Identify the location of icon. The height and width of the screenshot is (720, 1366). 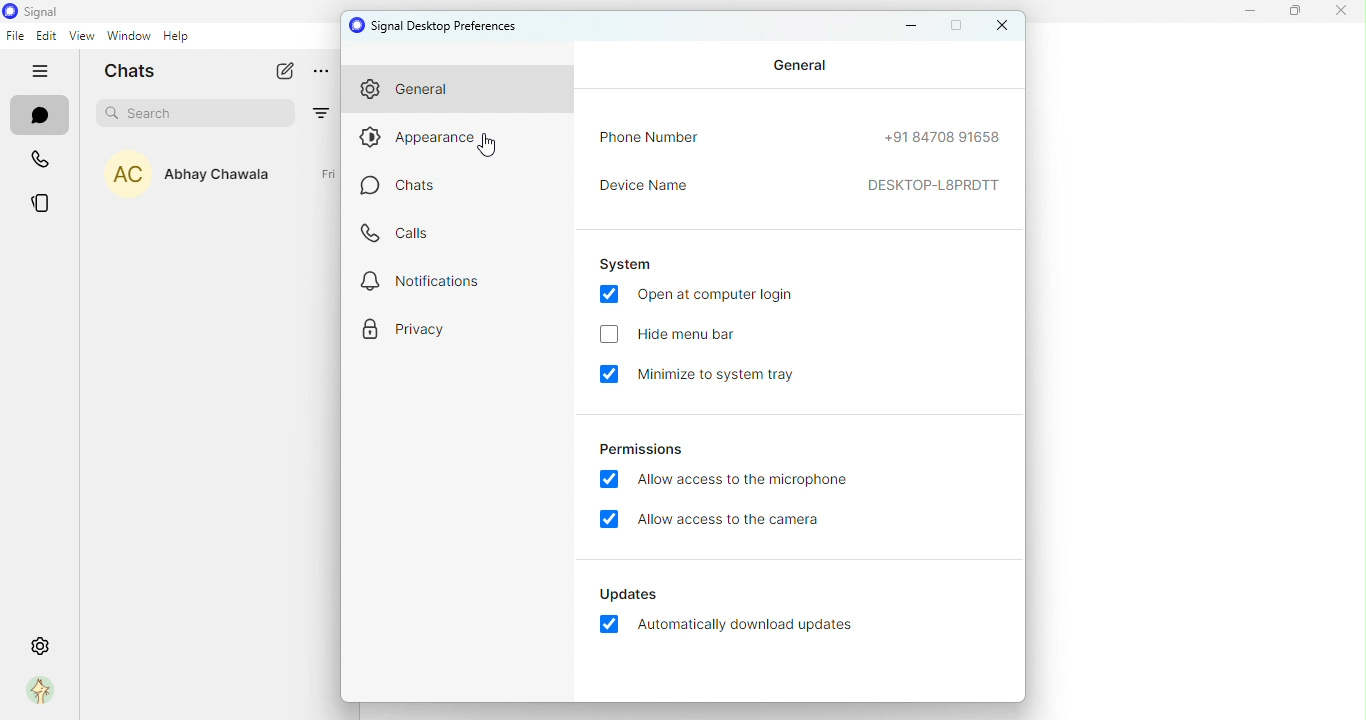
(38, 12).